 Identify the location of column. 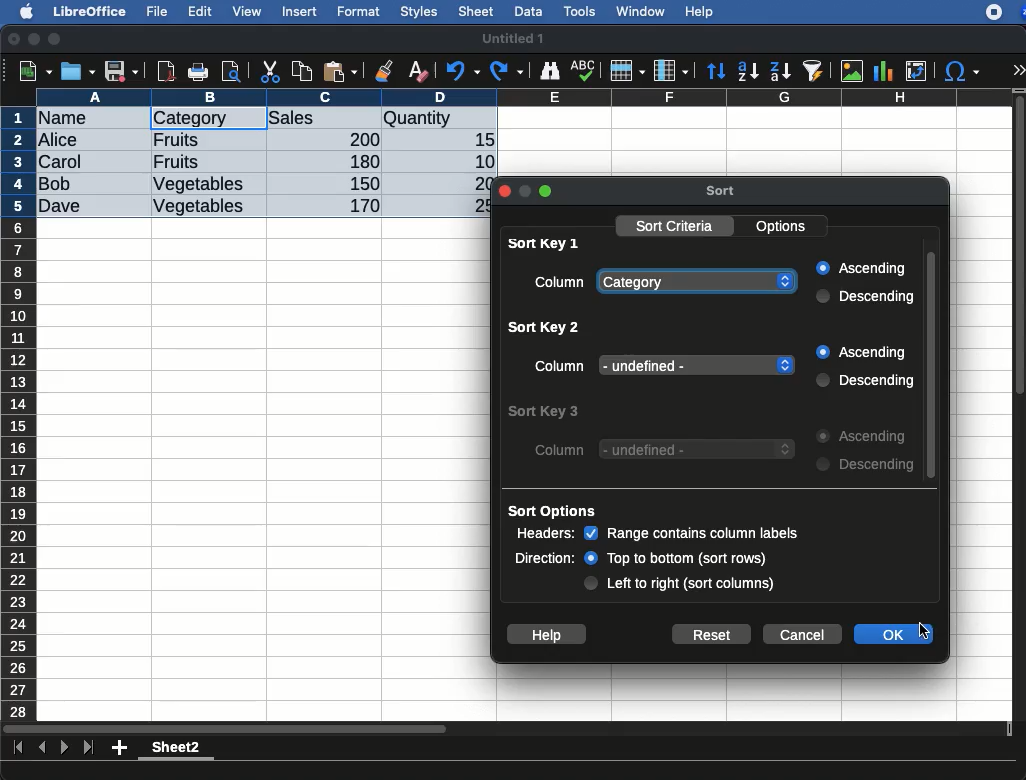
(671, 72).